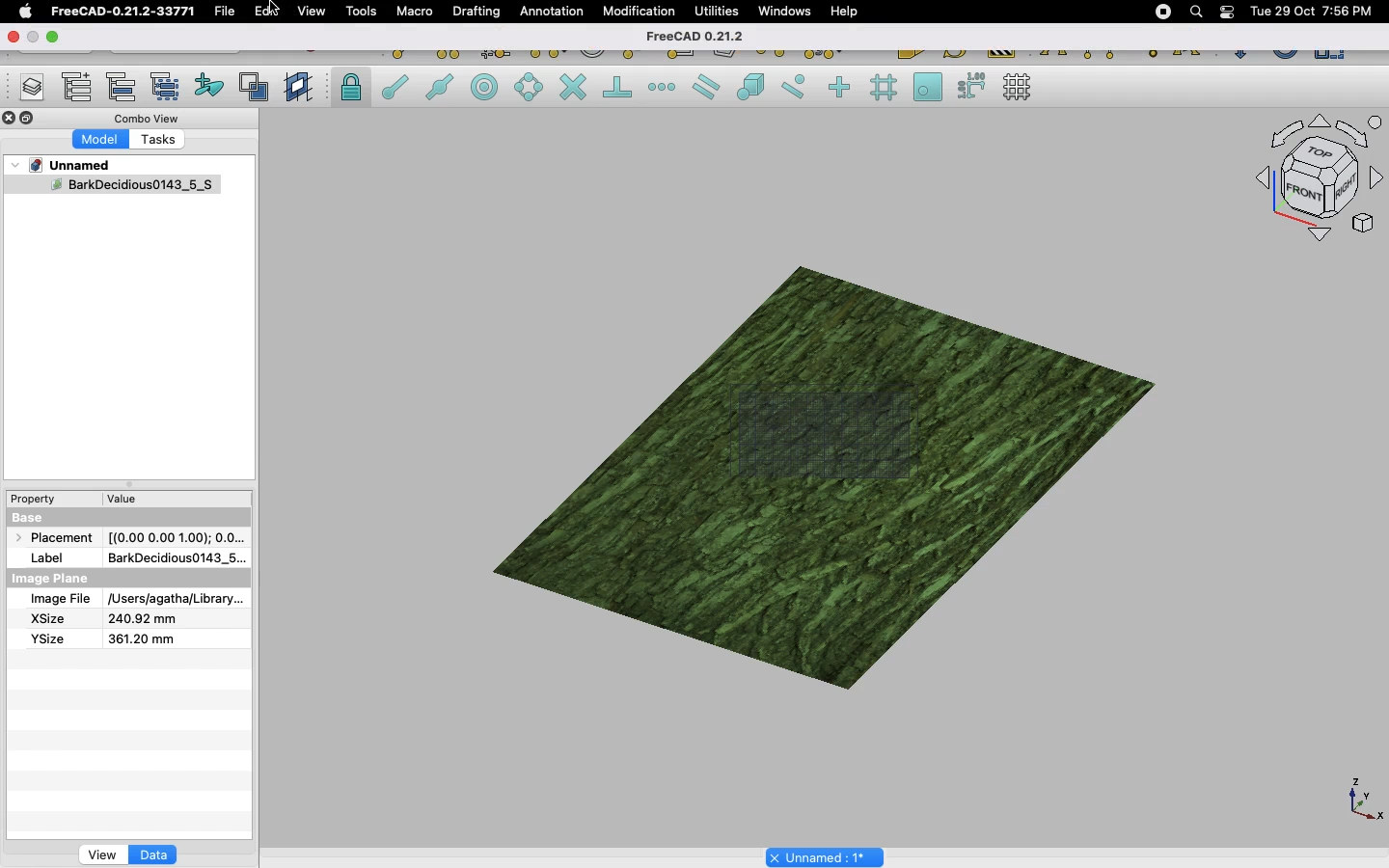  I want to click on Notification, so click(1229, 11).